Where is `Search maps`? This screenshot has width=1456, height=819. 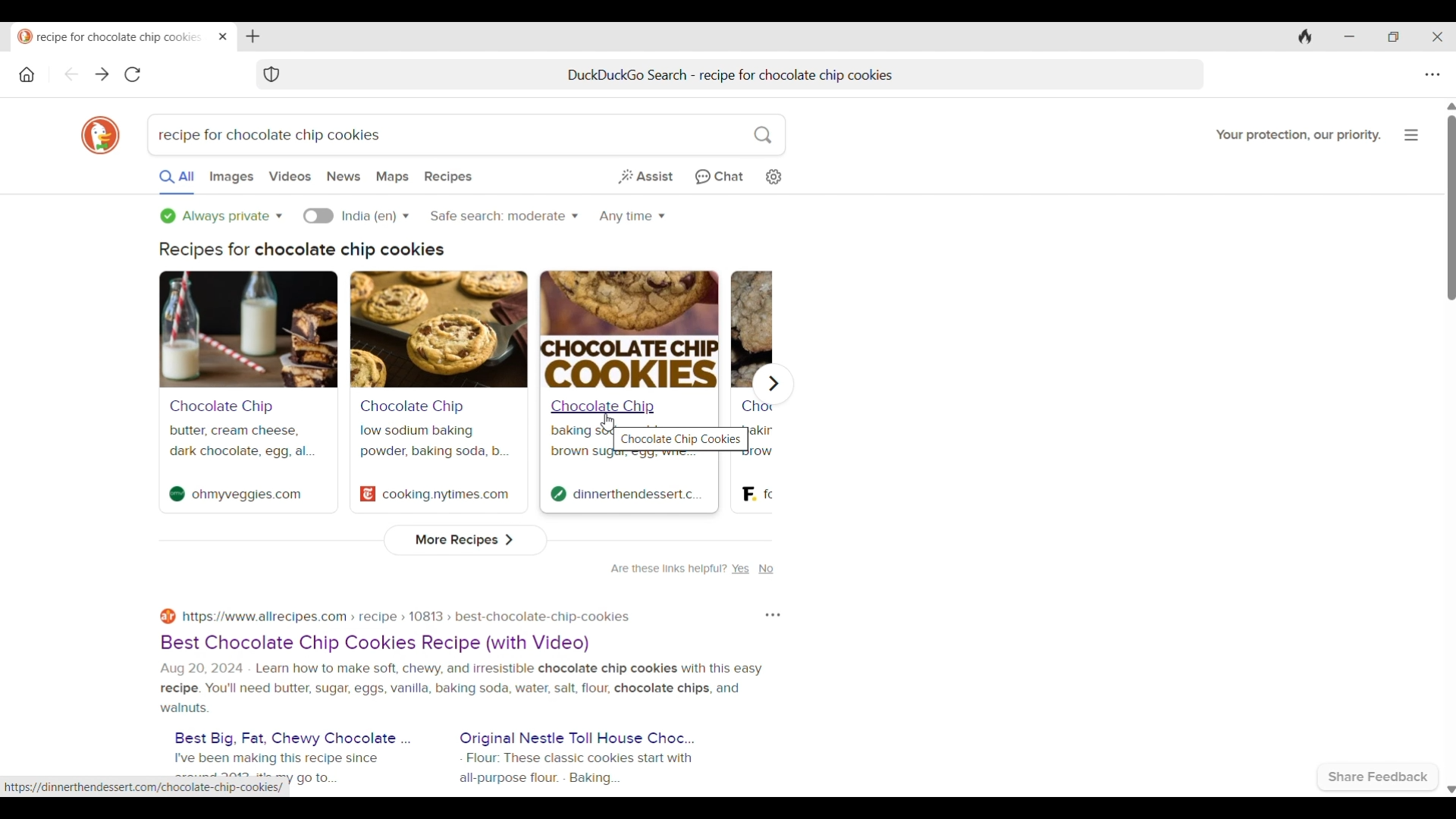
Search maps is located at coordinates (392, 177).